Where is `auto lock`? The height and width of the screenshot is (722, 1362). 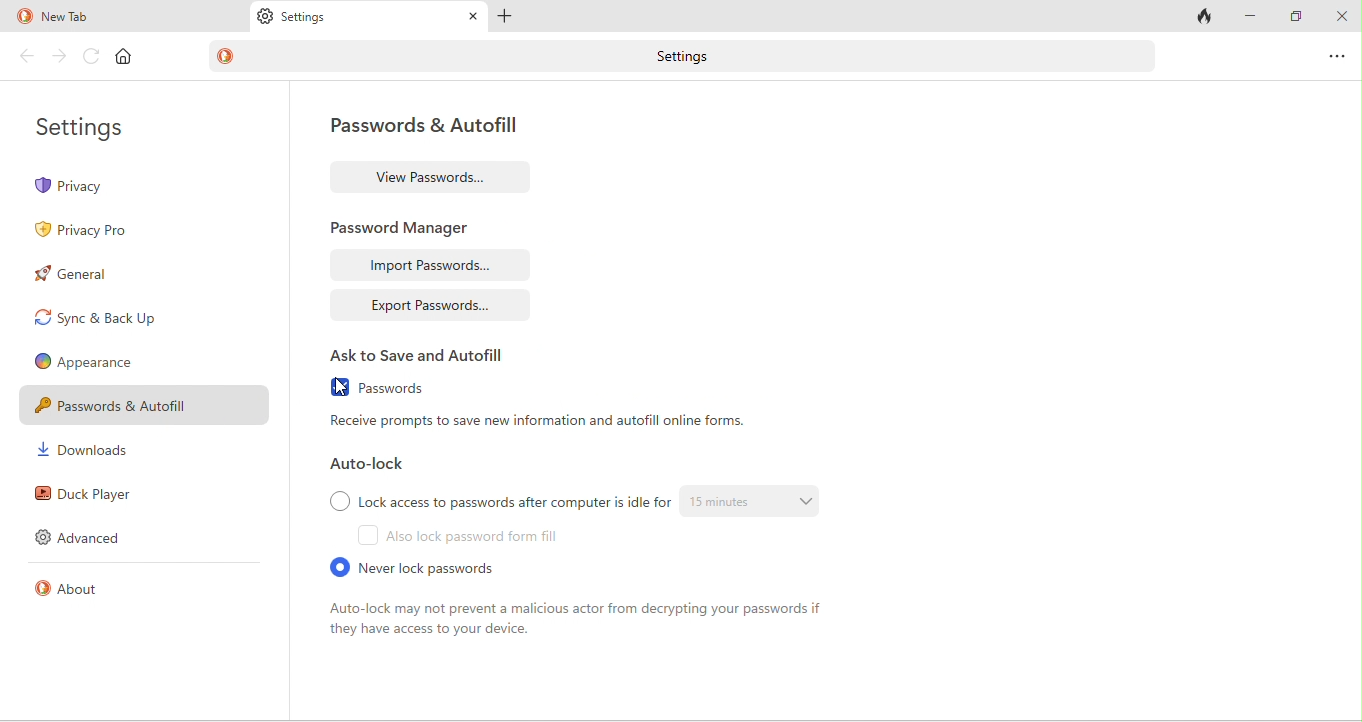
auto lock is located at coordinates (372, 467).